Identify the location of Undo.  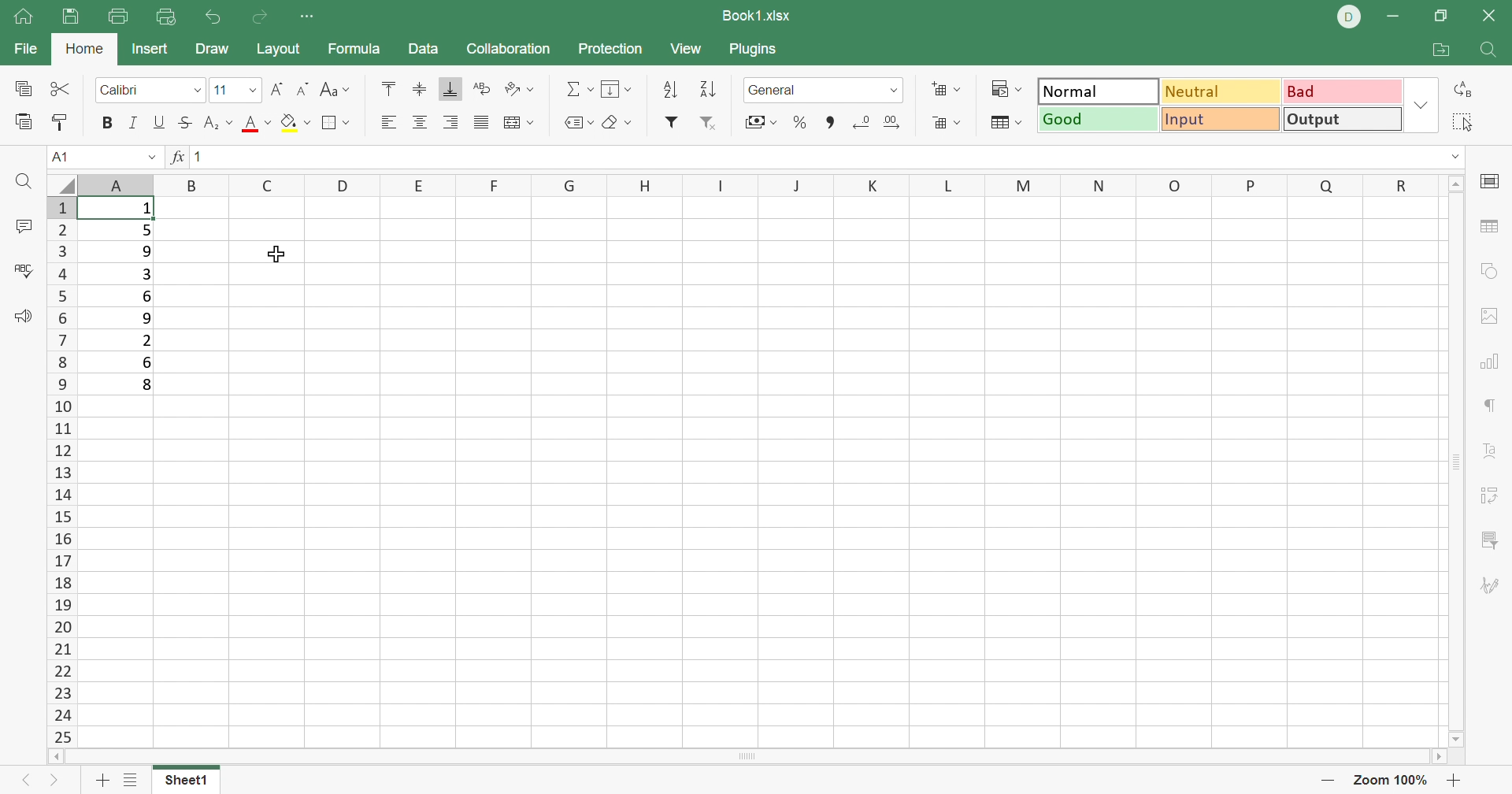
(211, 16).